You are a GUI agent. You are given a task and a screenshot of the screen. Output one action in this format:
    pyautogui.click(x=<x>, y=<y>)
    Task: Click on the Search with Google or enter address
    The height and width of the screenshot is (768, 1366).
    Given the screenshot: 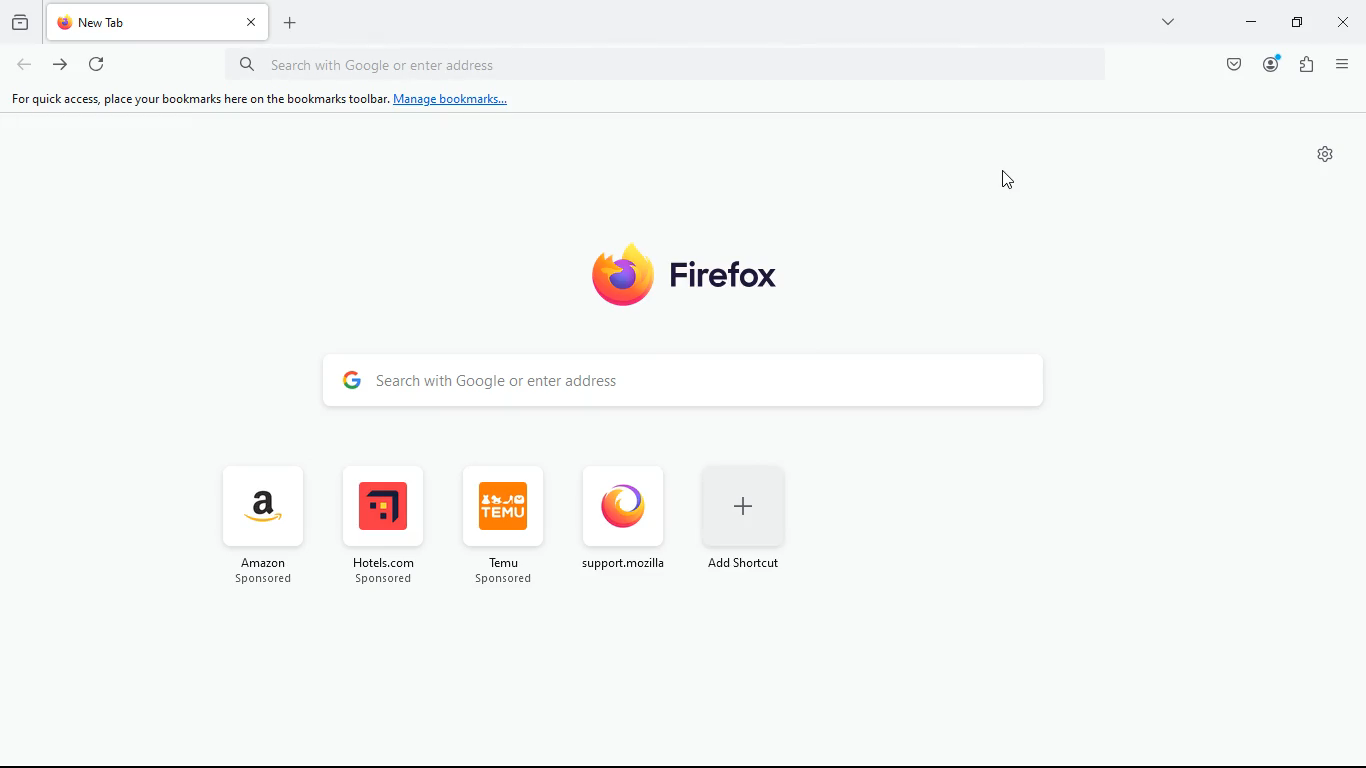 What is the action you would take?
    pyautogui.click(x=405, y=63)
    